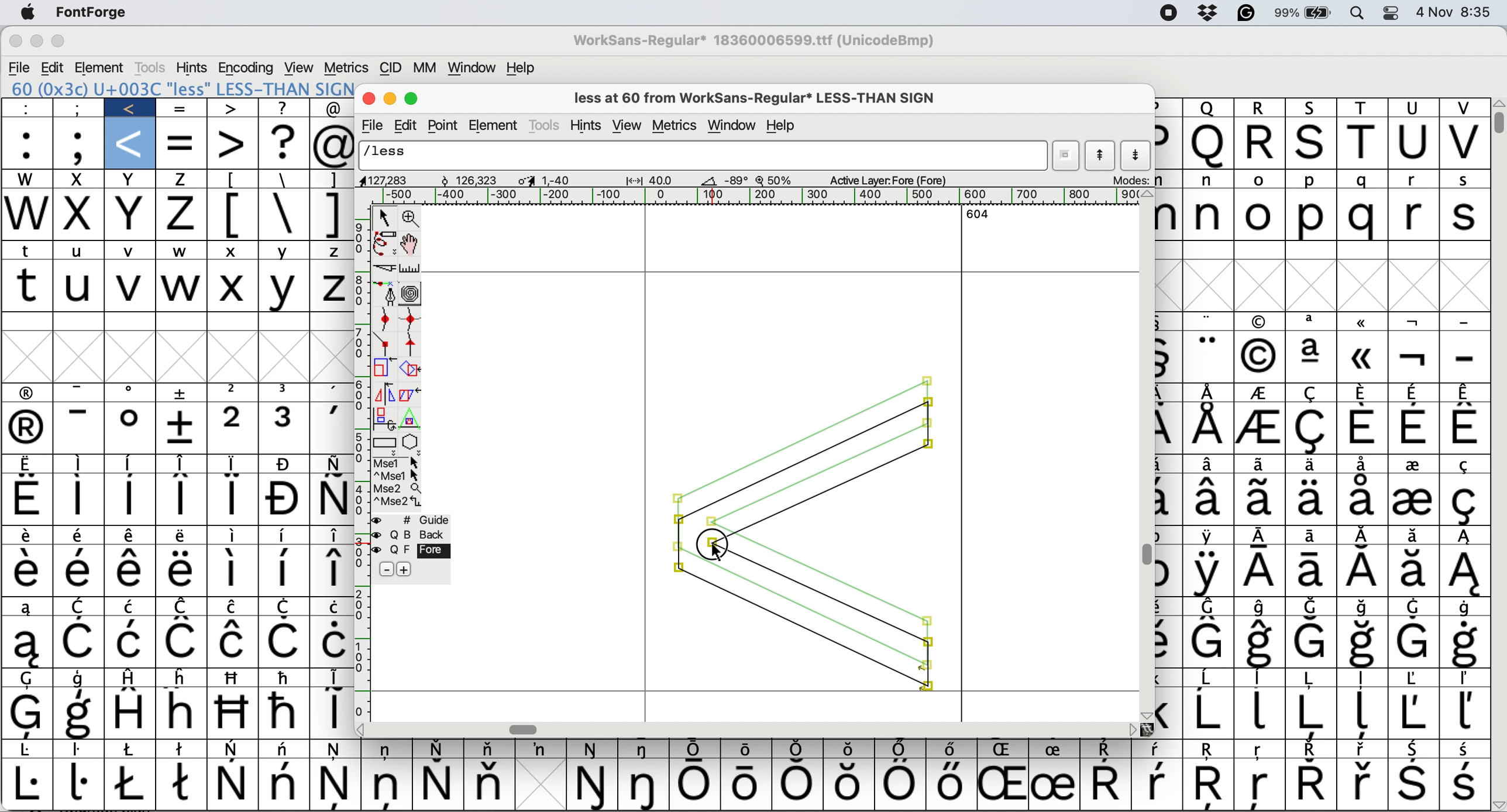 The height and width of the screenshot is (812, 1507). I want to click on Symbol, so click(1464, 429).